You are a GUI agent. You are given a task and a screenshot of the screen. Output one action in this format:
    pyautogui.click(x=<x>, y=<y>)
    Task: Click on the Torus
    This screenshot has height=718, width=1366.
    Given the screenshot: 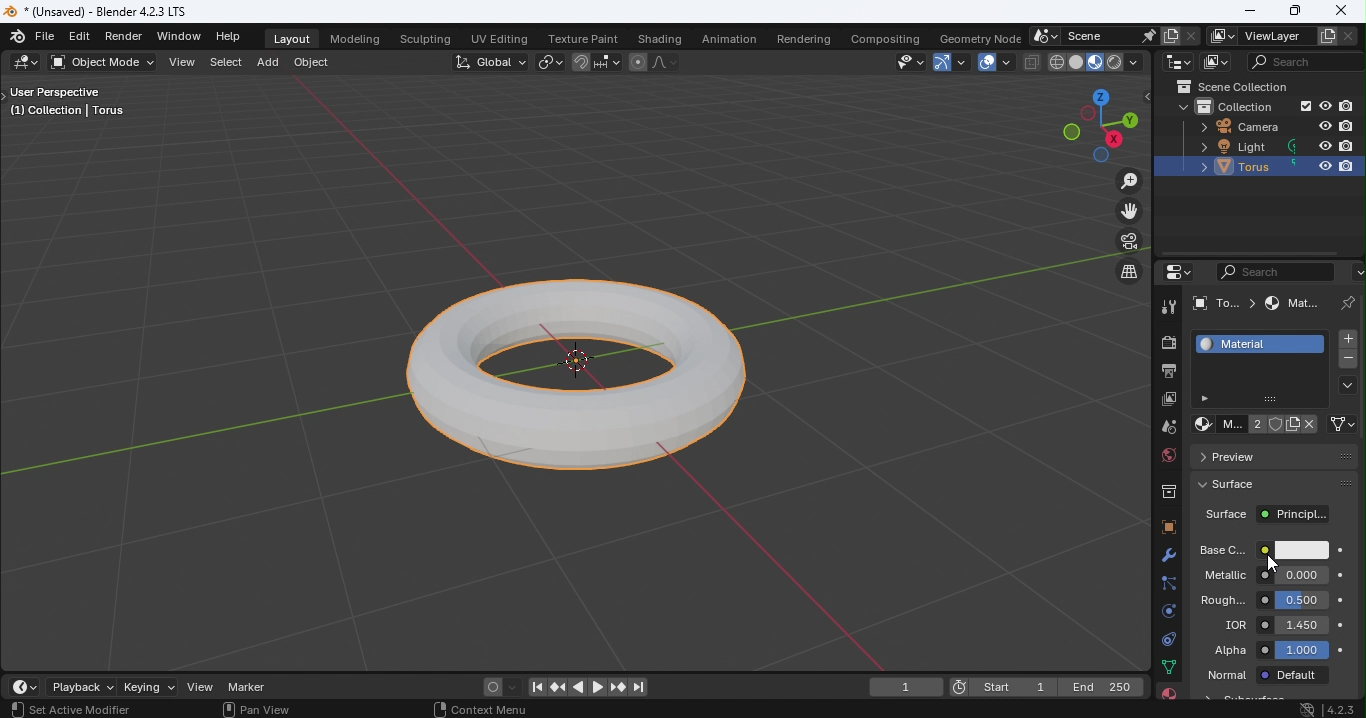 What is the action you would take?
    pyautogui.click(x=594, y=365)
    